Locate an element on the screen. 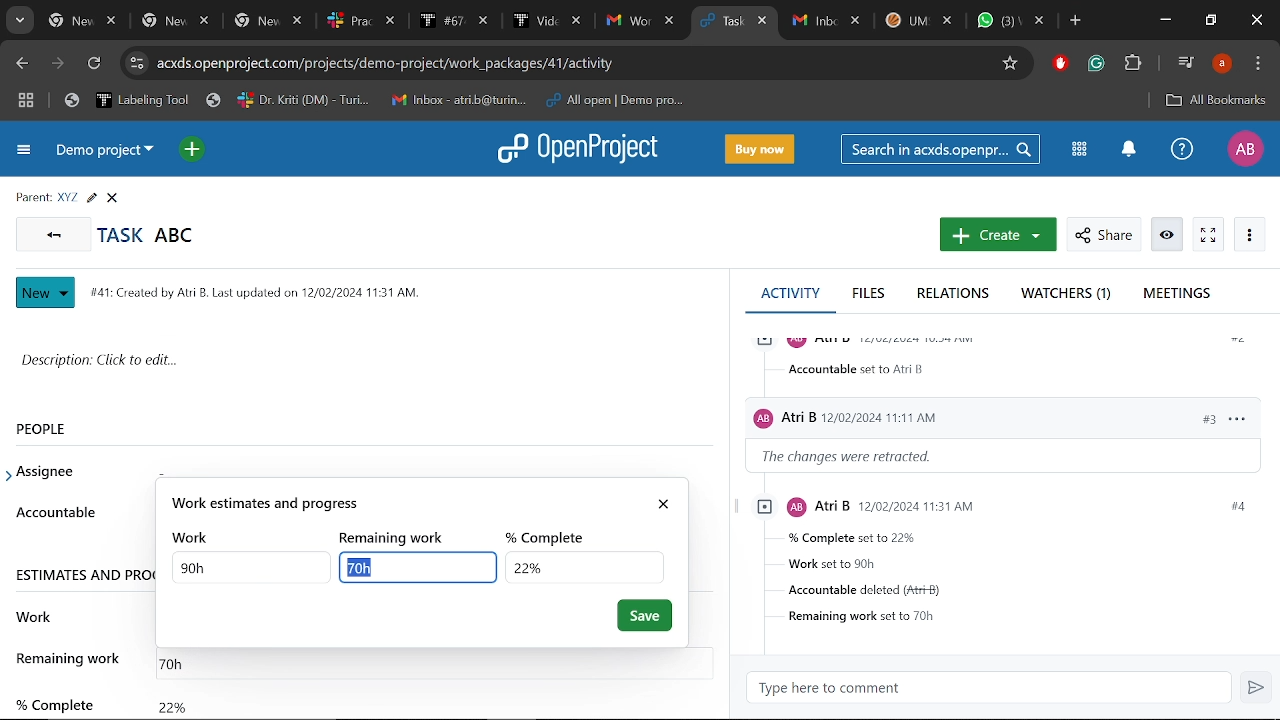 The image size is (1280, 720). CIte address is located at coordinates (571, 62).